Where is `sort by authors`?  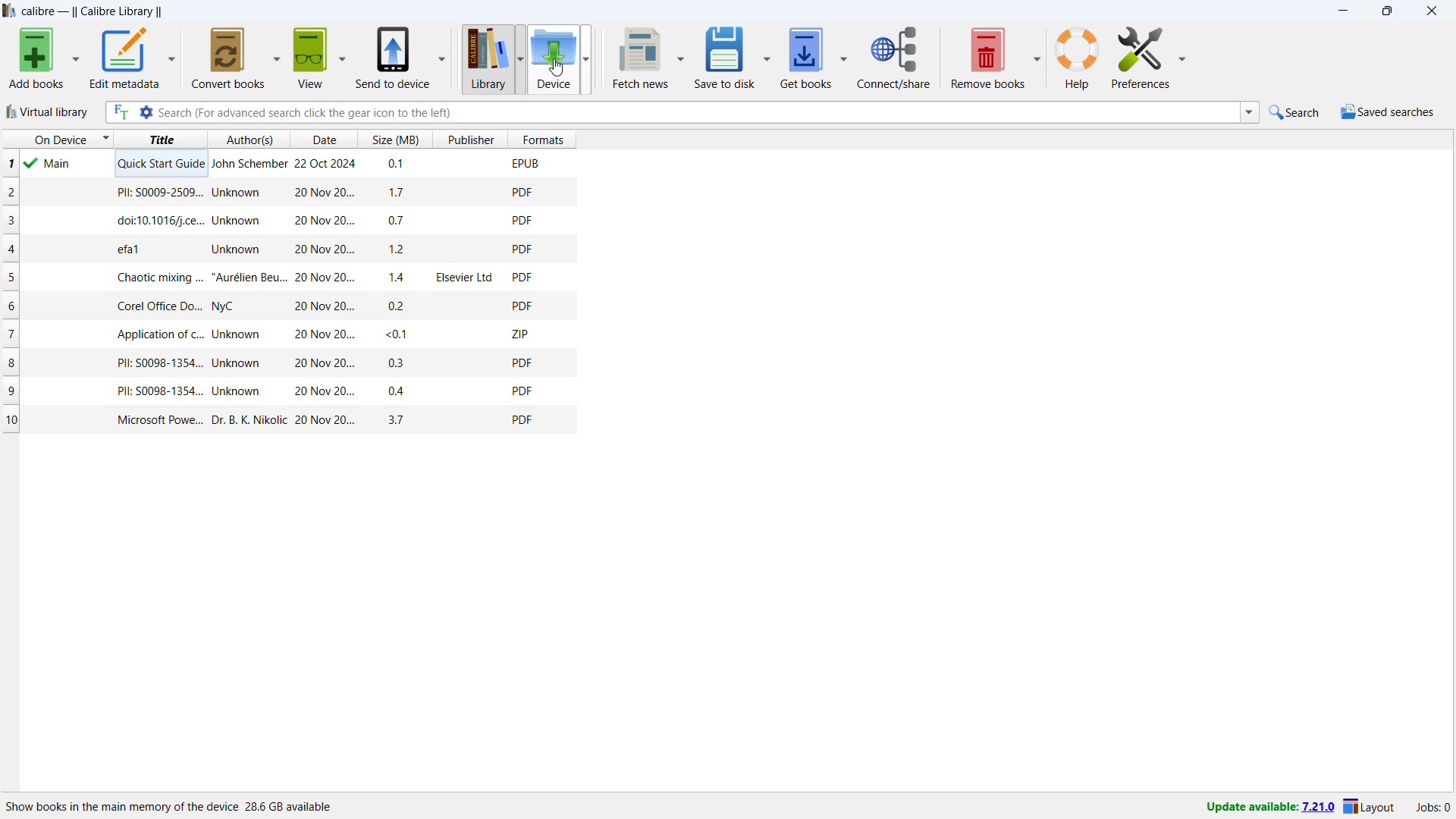
sort by authors is located at coordinates (247, 140).